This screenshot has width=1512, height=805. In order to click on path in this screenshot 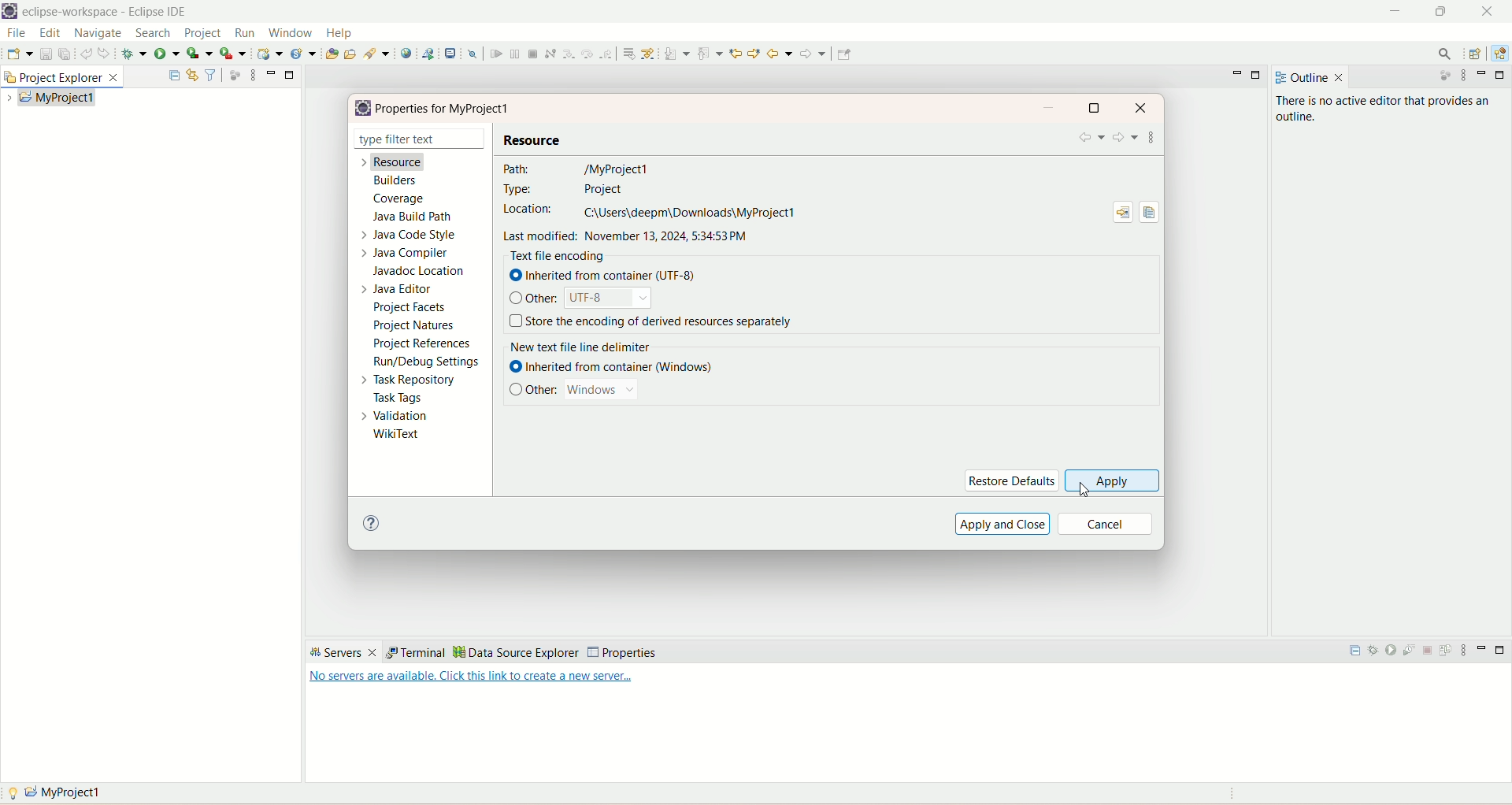, I will do `click(578, 167)`.